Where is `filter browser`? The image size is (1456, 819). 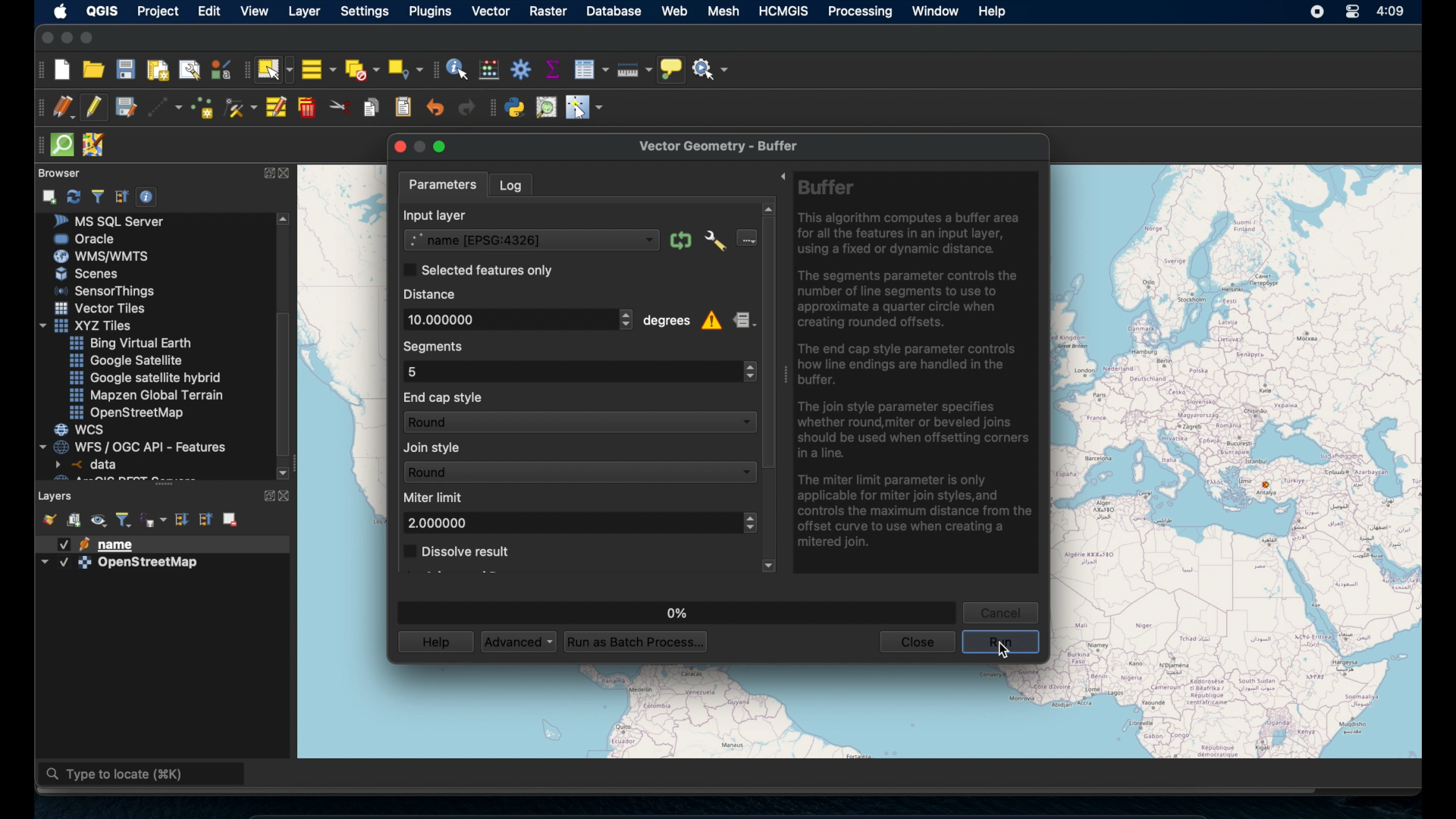 filter browser is located at coordinates (97, 196).